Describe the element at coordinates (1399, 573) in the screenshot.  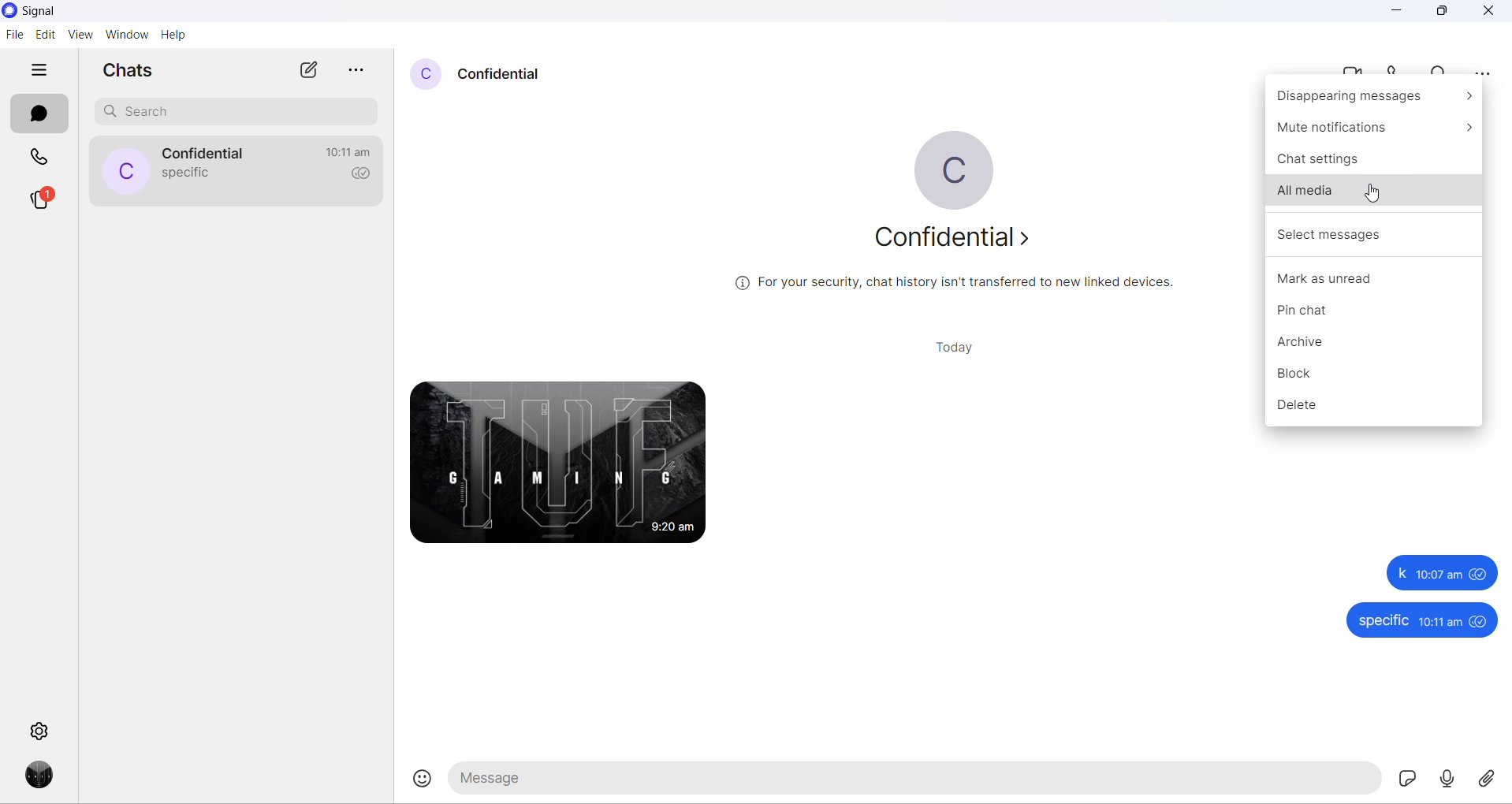
I see `k` at that location.